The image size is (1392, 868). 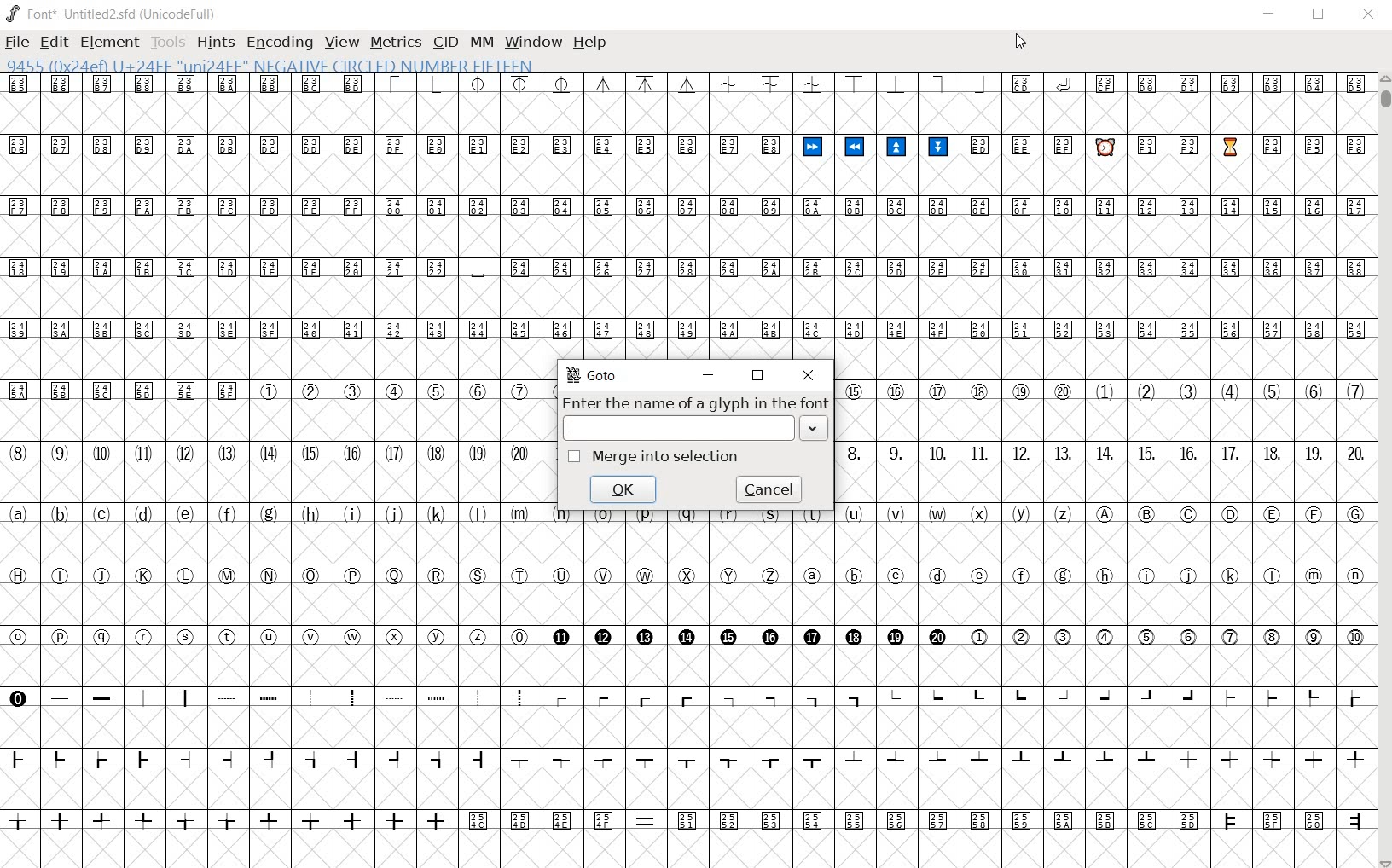 What do you see at coordinates (214, 44) in the screenshot?
I see `HINTS` at bounding box center [214, 44].